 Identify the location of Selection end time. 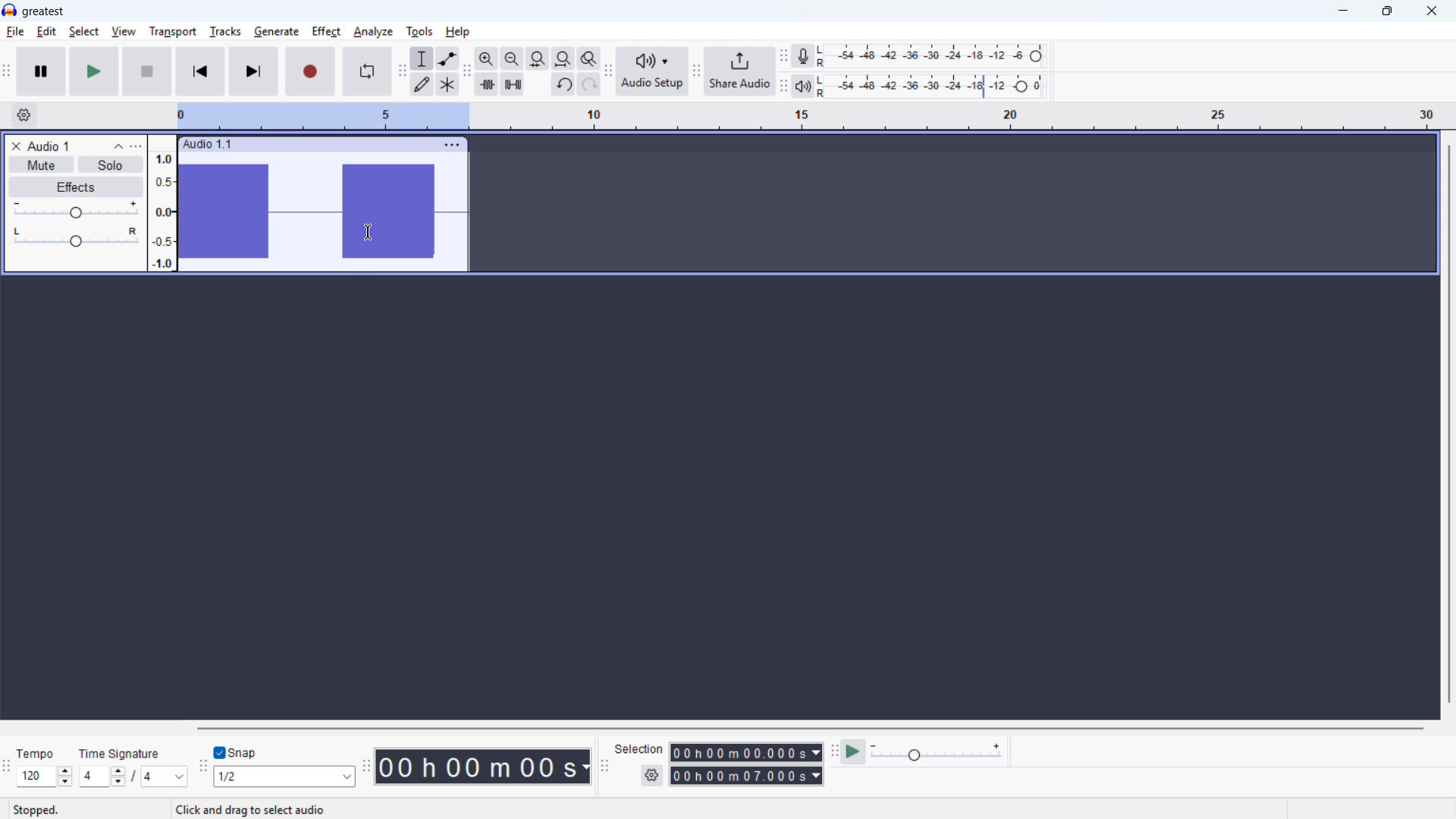
(747, 775).